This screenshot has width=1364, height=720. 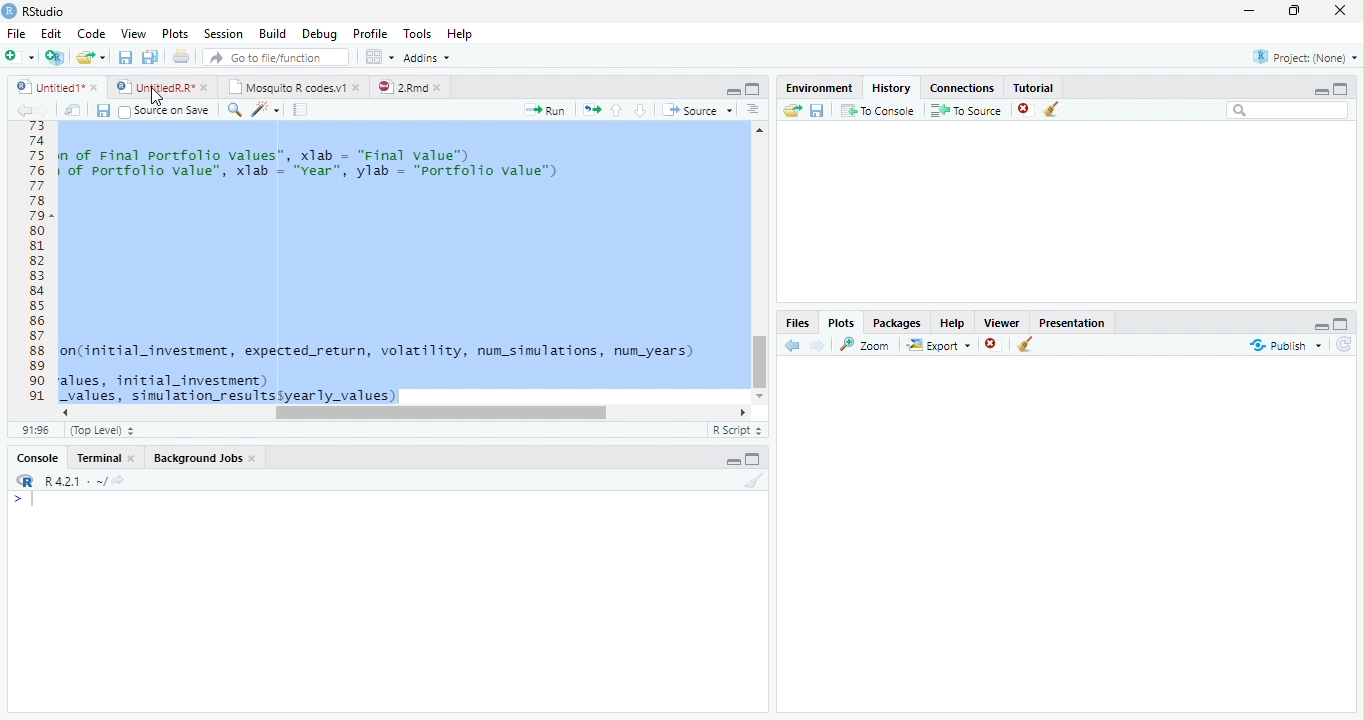 What do you see at coordinates (274, 57) in the screenshot?
I see `Go to file/function` at bounding box center [274, 57].